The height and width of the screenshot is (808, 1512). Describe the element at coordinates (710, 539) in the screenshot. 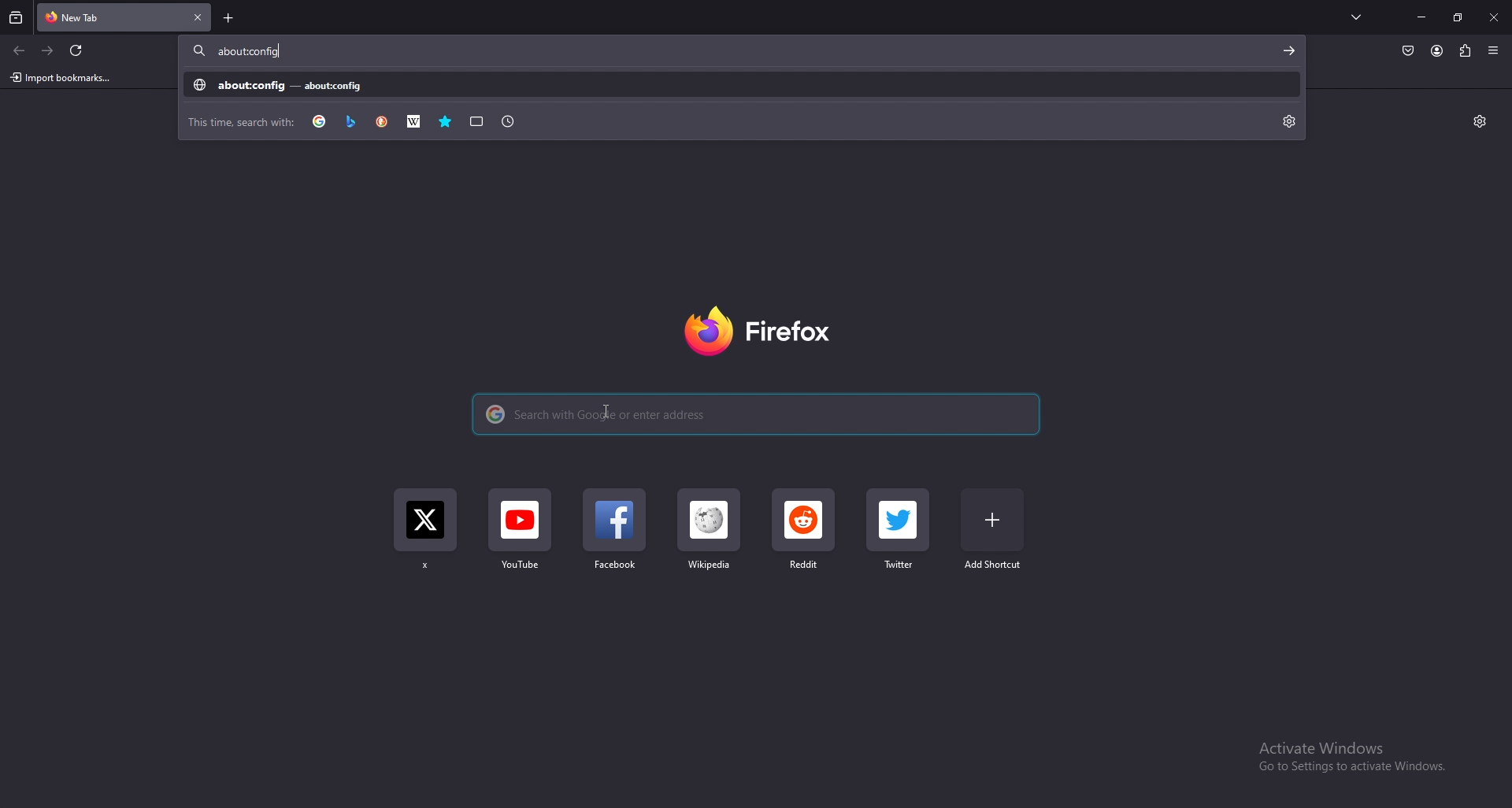

I see `wikipedia` at that location.